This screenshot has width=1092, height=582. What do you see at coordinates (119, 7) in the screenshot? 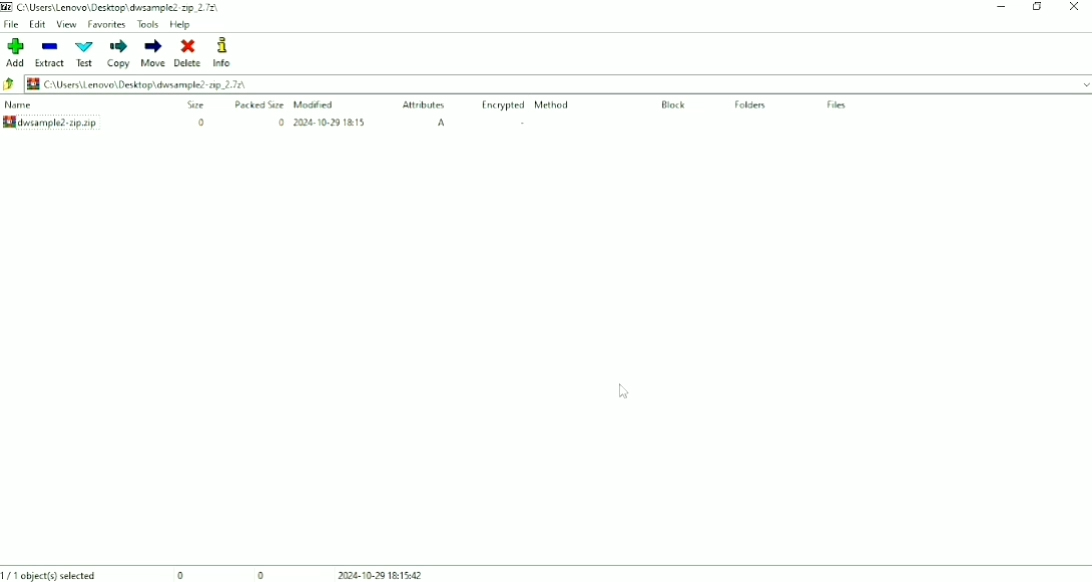
I see `C:\Users\Lenovo\Desktop\dwsample2-zip_2.7z` at bounding box center [119, 7].